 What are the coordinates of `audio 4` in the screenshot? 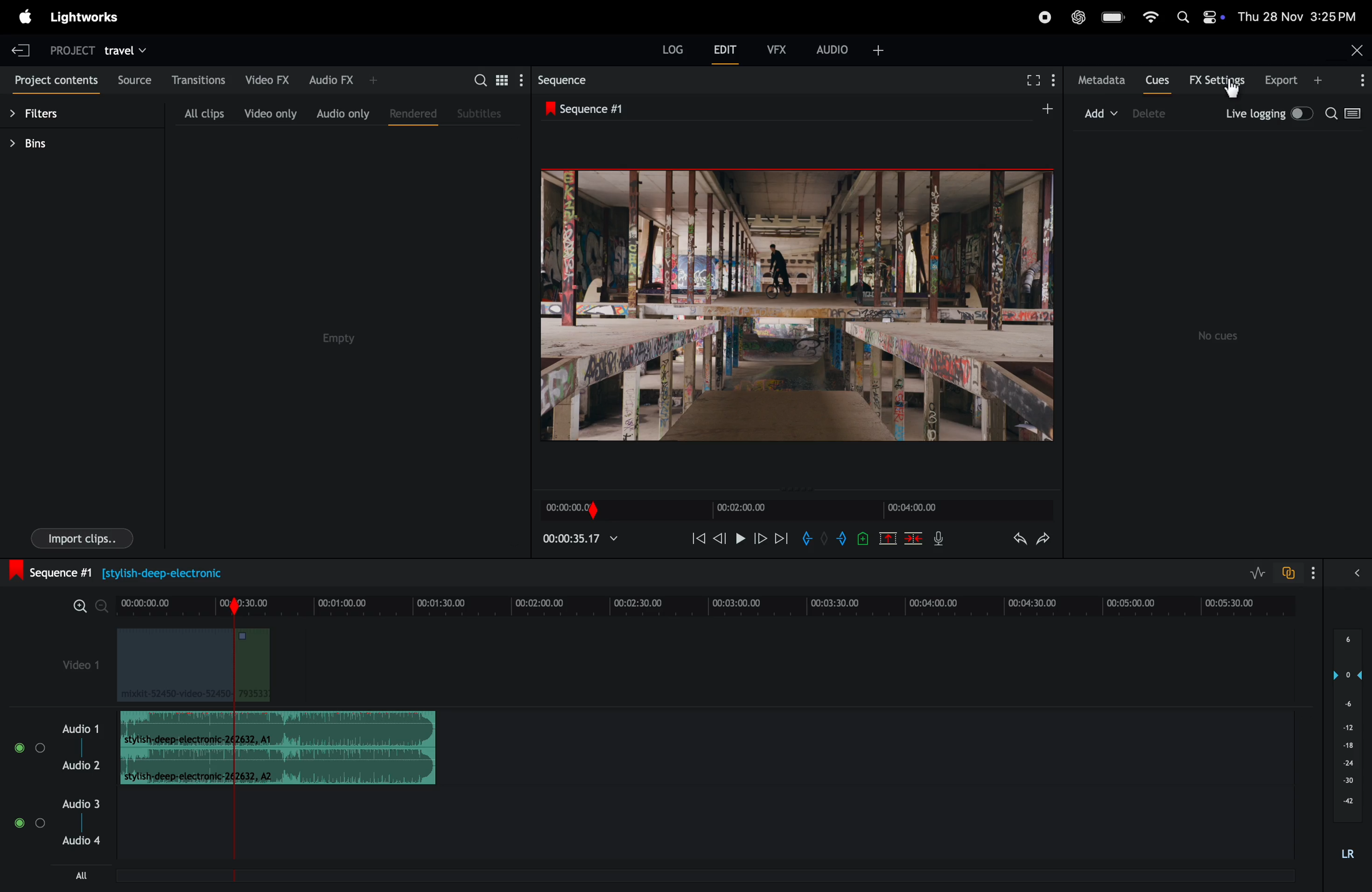 It's located at (81, 846).